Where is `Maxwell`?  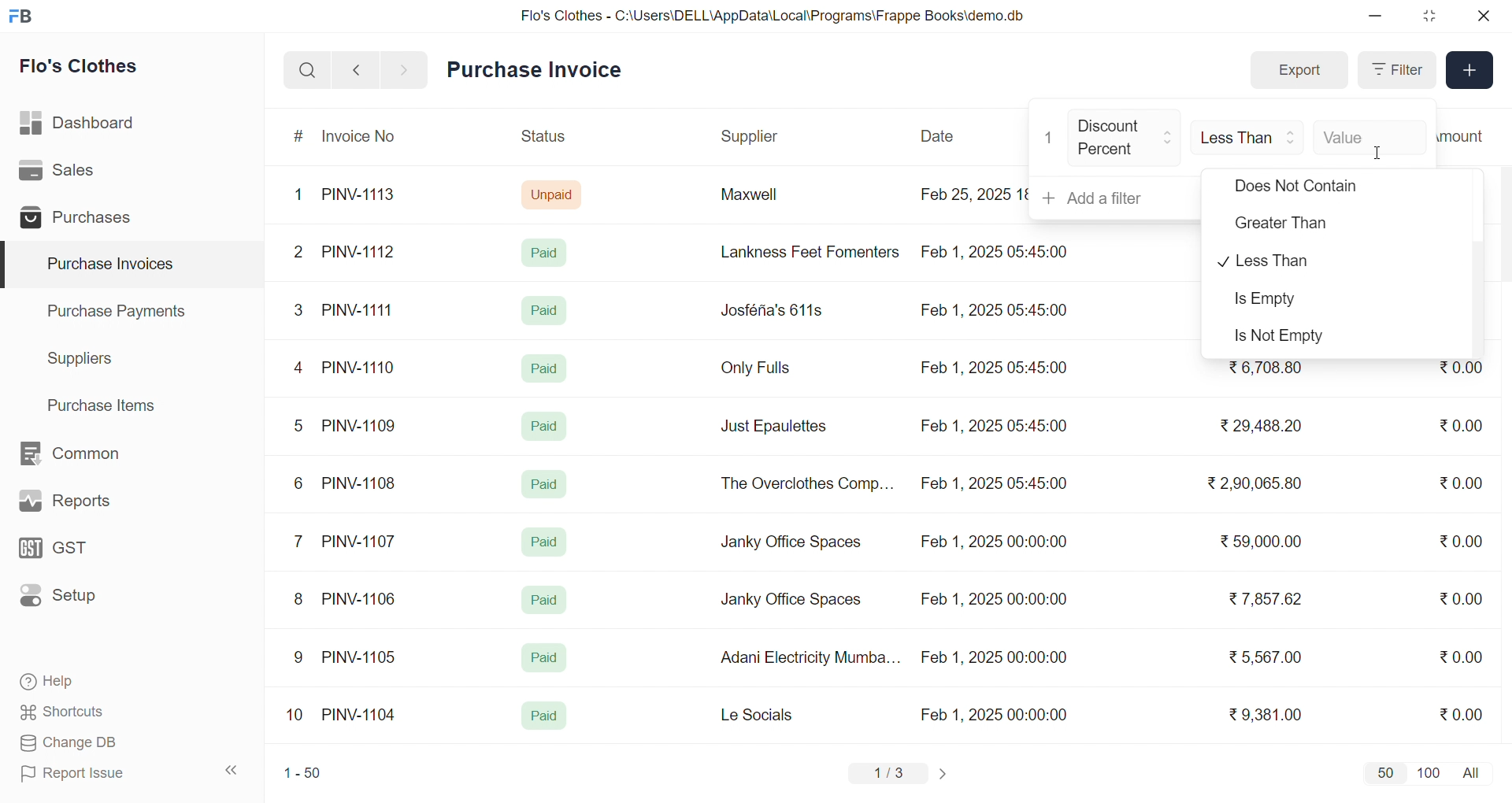 Maxwell is located at coordinates (767, 200).